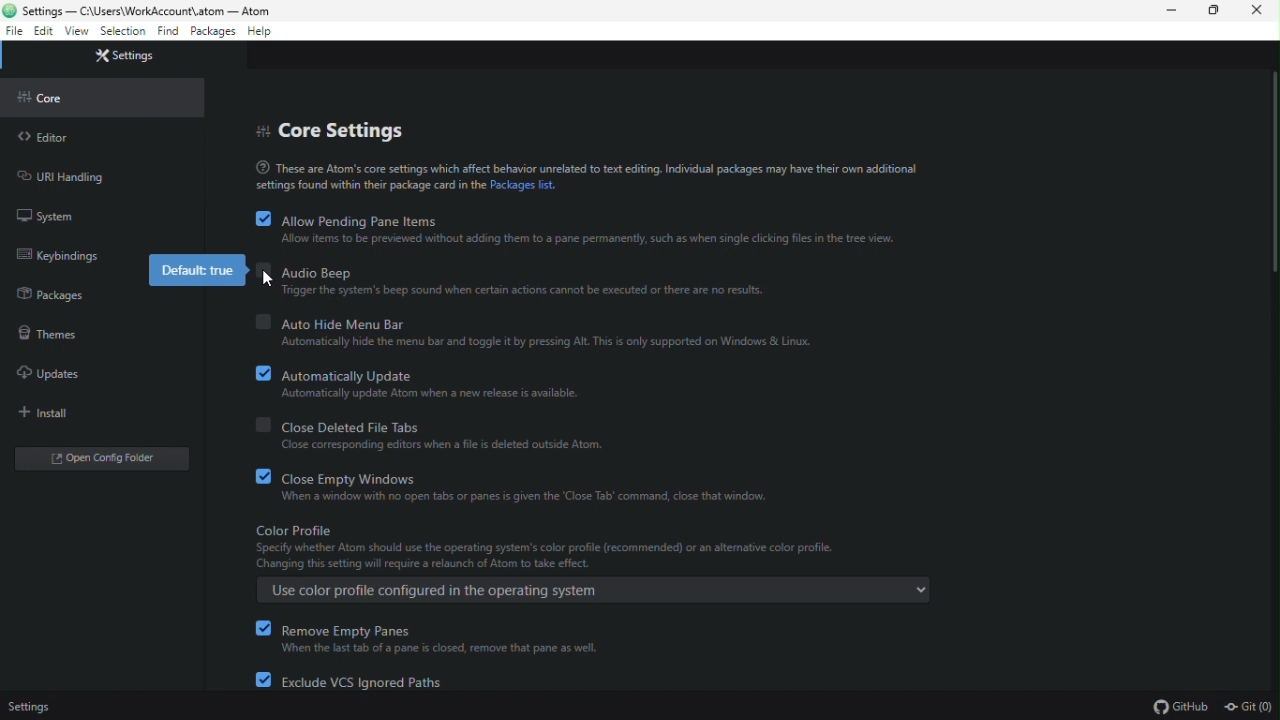 The width and height of the screenshot is (1280, 720). What do you see at coordinates (126, 55) in the screenshot?
I see `Settings` at bounding box center [126, 55].